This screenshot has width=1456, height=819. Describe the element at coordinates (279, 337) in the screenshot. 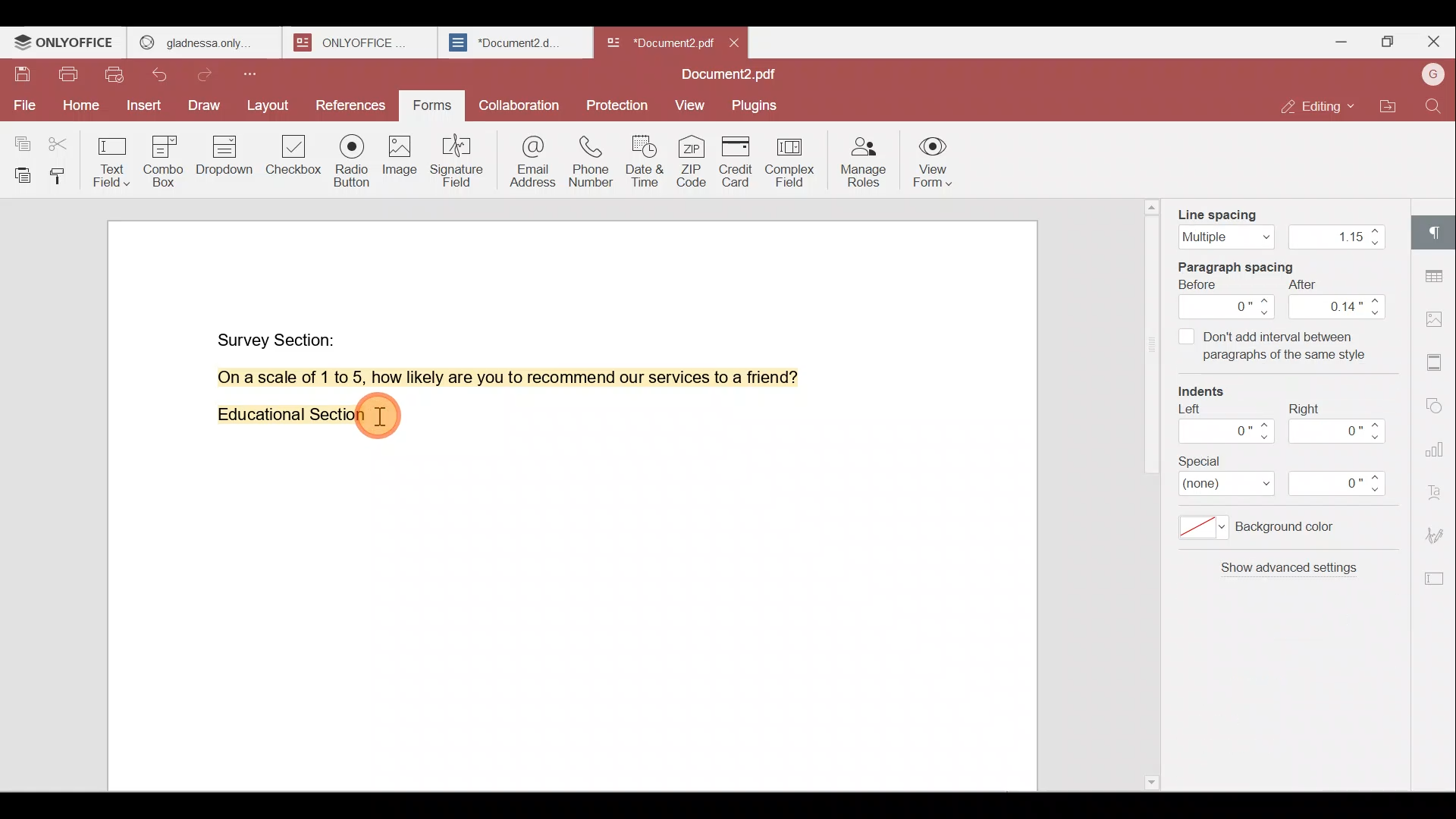

I see `Survey Section:` at that location.